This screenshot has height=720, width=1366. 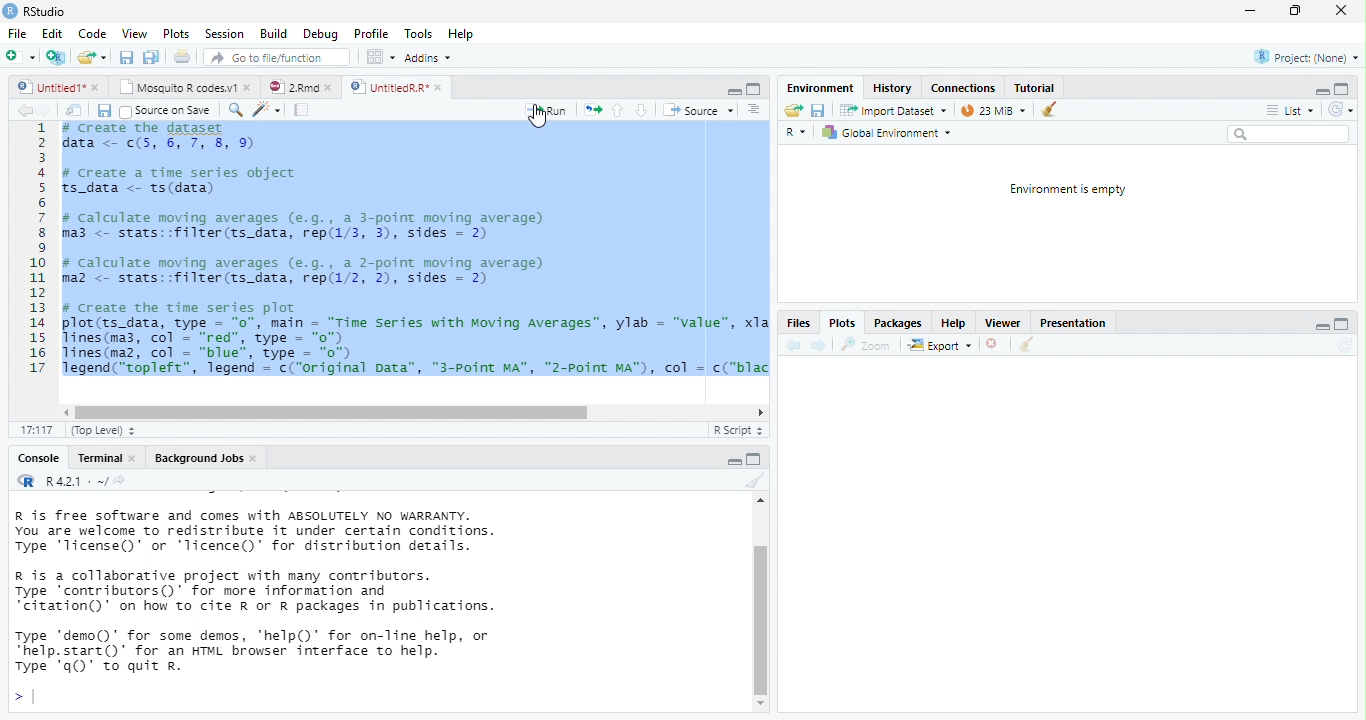 What do you see at coordinates (180, 86) in the screenshot?
I see `Mosquito R codes.v1` at bounding box center [180, 86].